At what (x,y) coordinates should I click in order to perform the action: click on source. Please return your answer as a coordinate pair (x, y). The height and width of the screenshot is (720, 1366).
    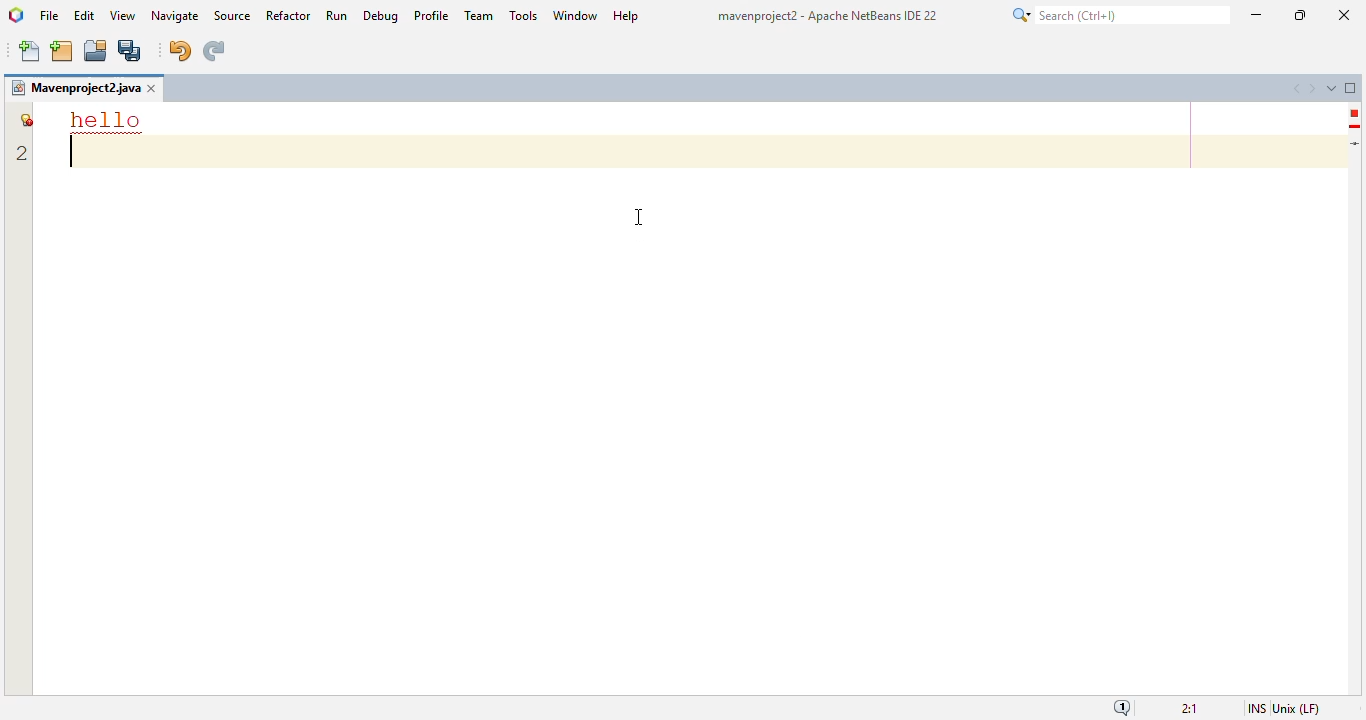
    Looking at the image, I should click on (232, 16).